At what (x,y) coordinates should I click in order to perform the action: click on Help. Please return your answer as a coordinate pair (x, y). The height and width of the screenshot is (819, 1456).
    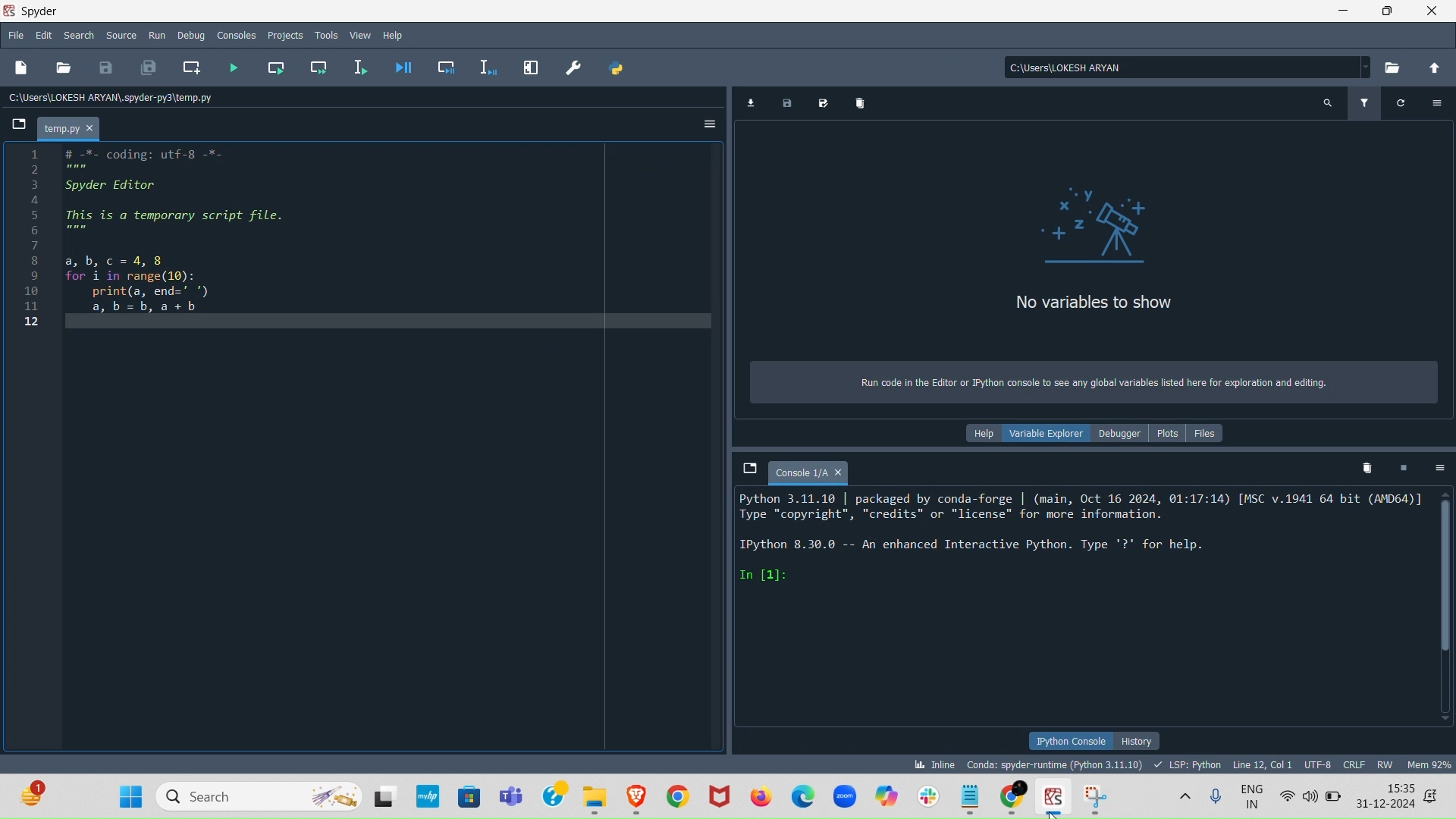
    Looking at the image, I should click on (978, 432).